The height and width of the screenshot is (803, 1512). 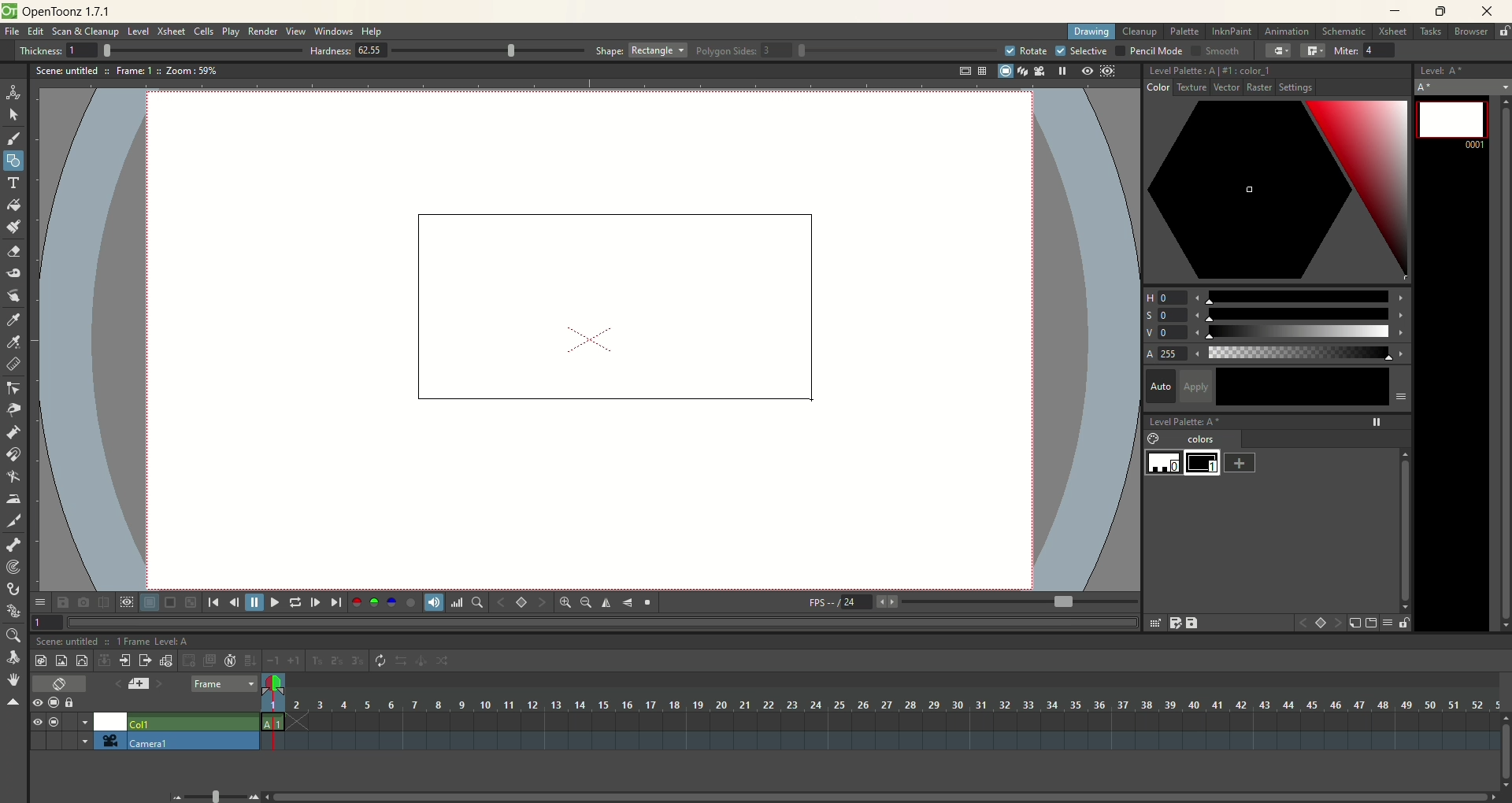 What do you see at coordinates (1451, 122) in the screenshot?
I see `001 level` at bounding box center [1451, 122].